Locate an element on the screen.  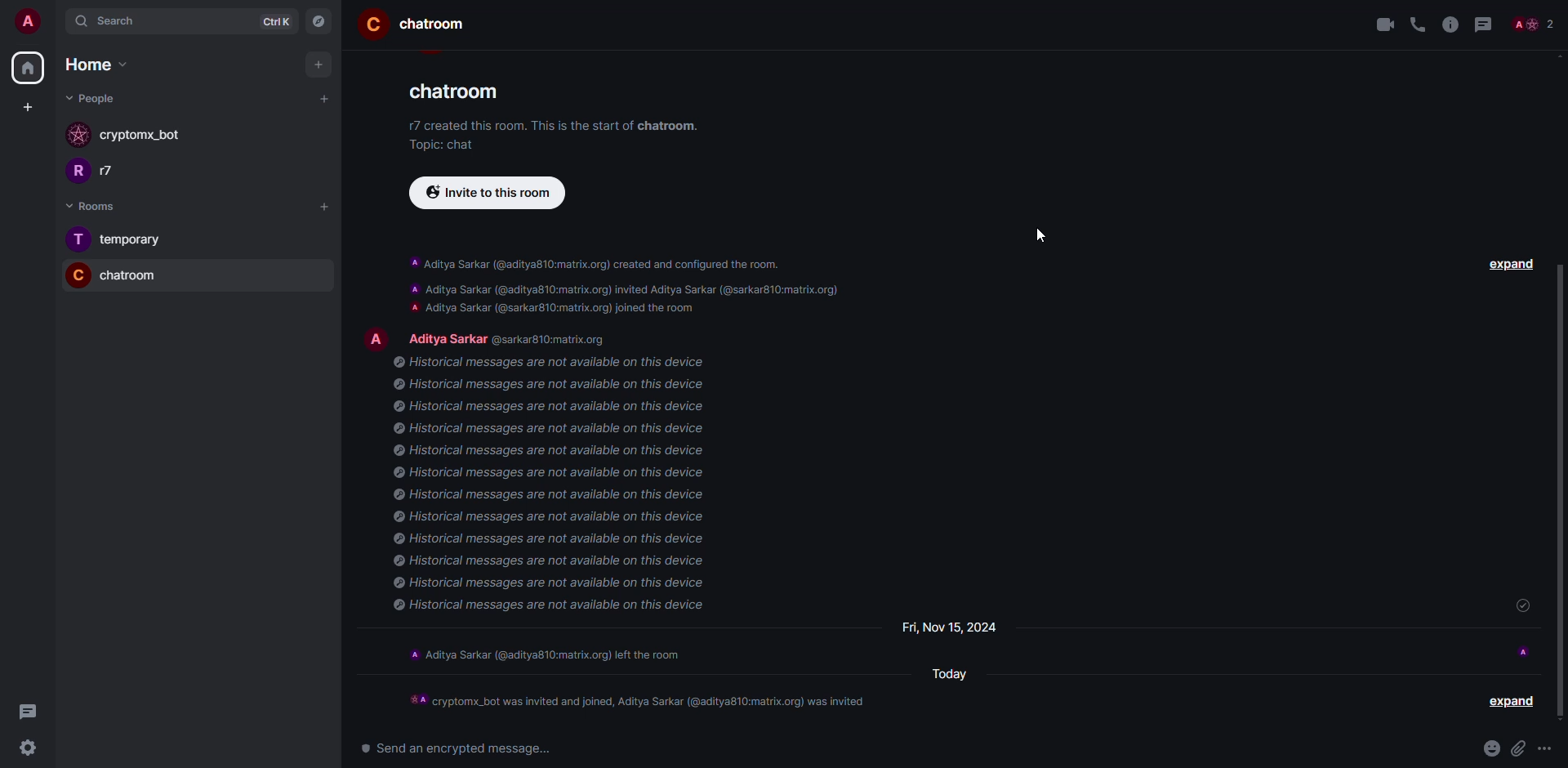
invite to this room is located at coordinates (487, 192).